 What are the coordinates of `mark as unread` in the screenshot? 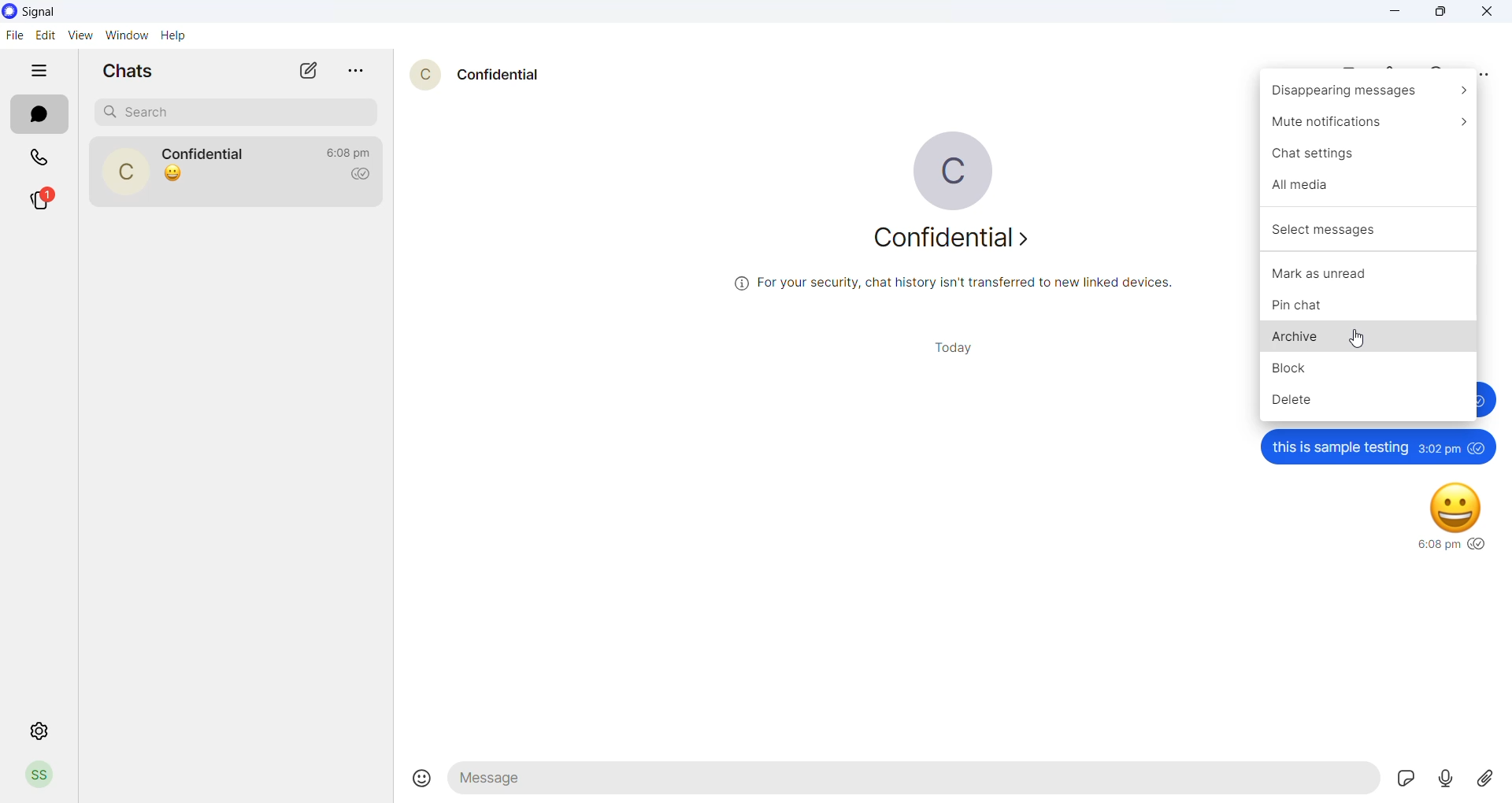 It's located at (1368, 272).